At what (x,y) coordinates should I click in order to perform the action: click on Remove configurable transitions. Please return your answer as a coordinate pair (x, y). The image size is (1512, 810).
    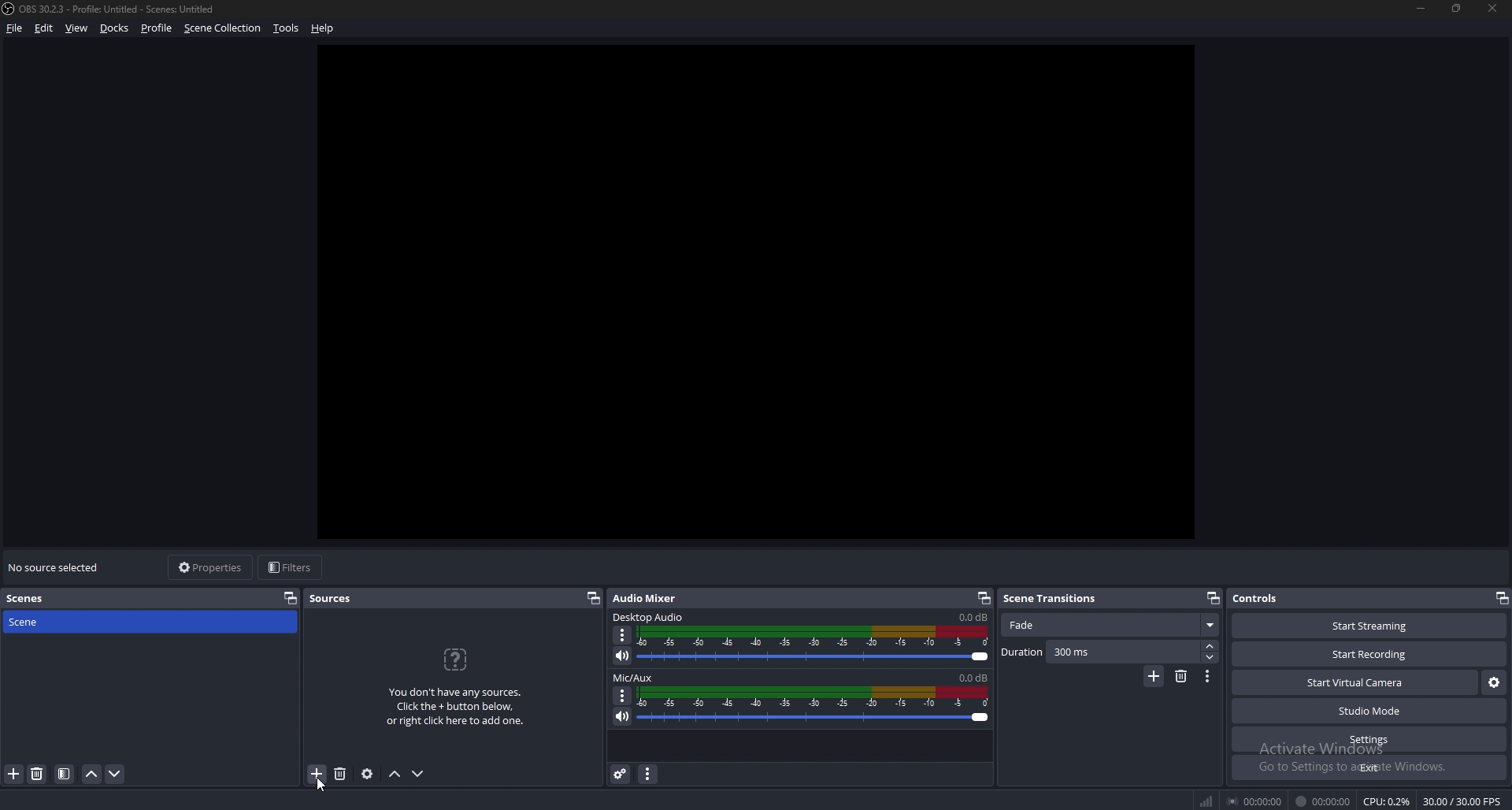
    Looking at the image, I should click on (1182, 675).